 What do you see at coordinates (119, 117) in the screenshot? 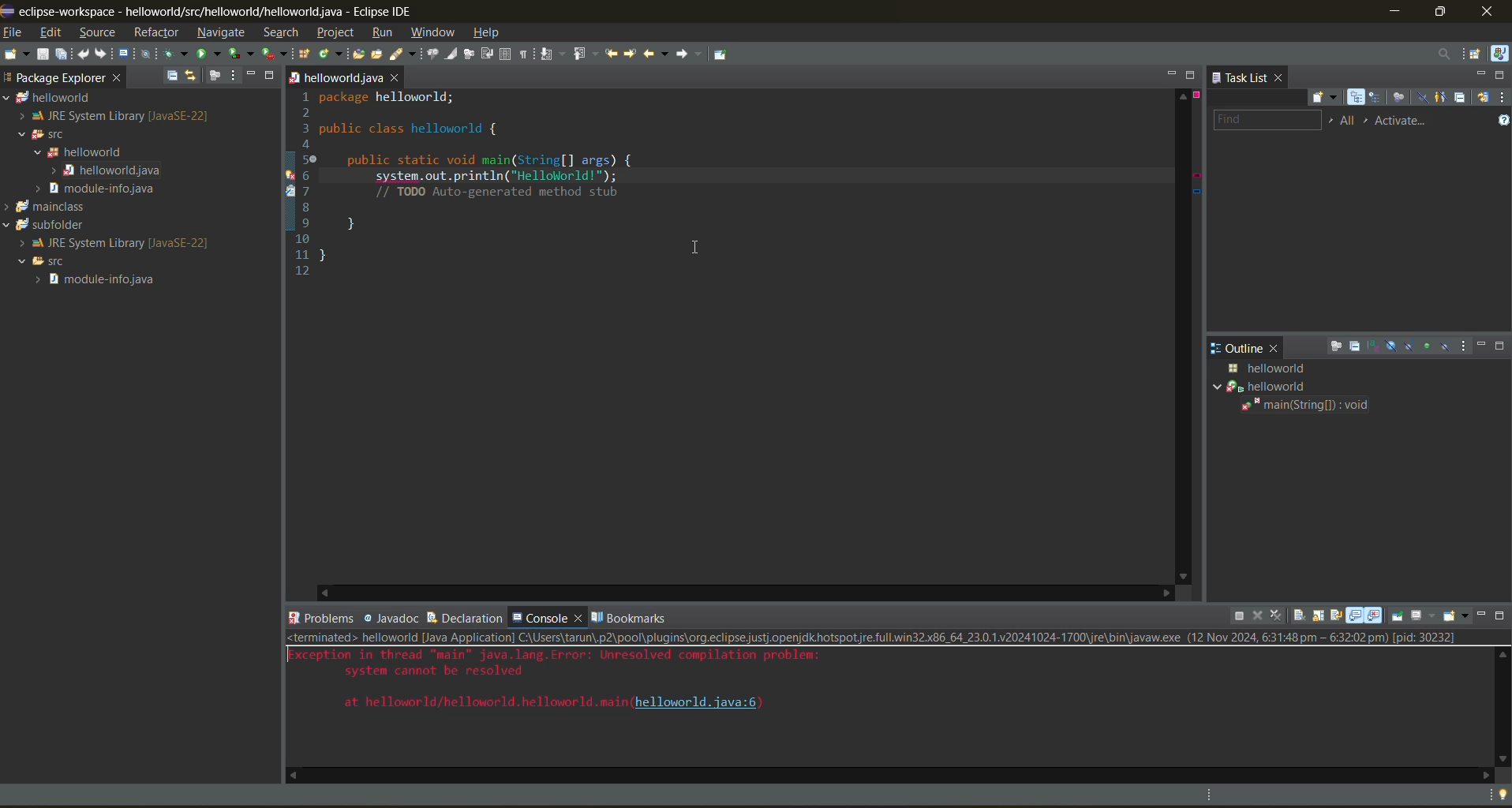
I see `JRE System Library [Java SE-22]` at bounding box center [119, 117].